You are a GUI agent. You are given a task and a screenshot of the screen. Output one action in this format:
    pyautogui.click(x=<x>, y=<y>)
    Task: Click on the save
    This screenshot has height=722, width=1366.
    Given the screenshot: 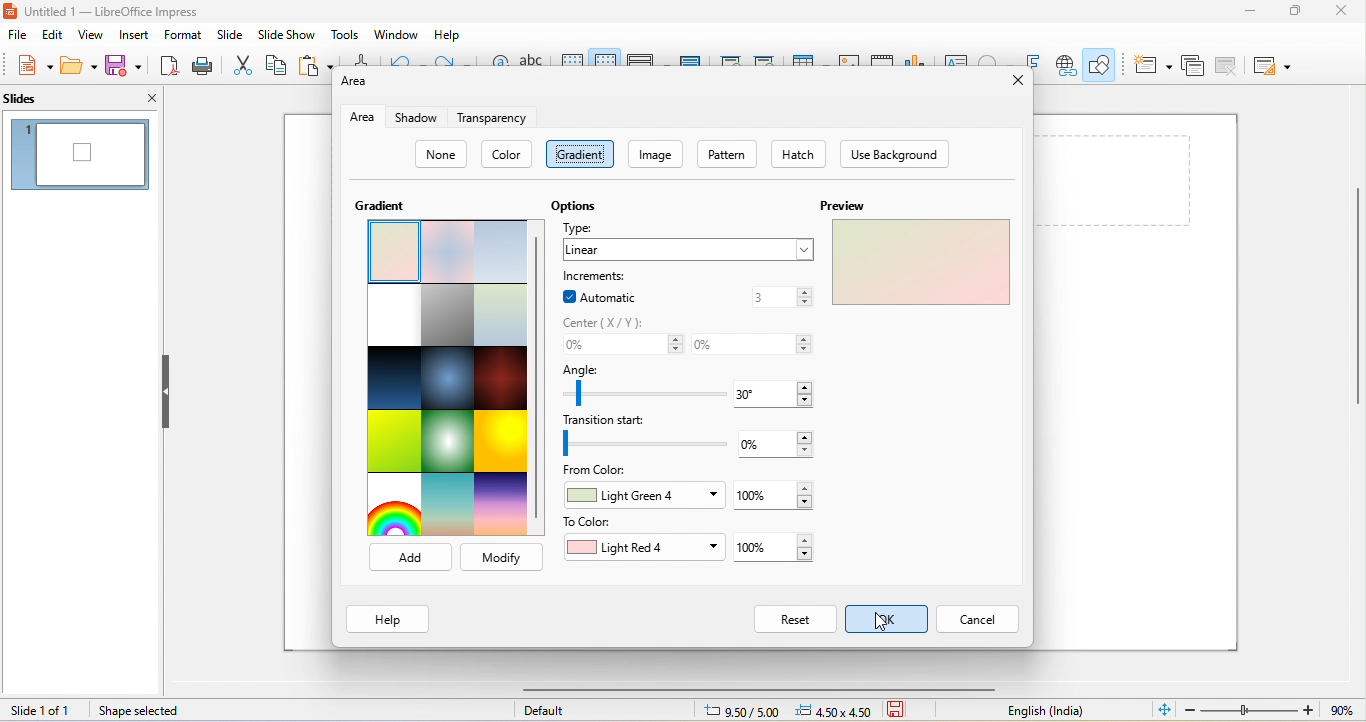 What is the action you would take?
    pyautogui.click(x=902, y=711)
    